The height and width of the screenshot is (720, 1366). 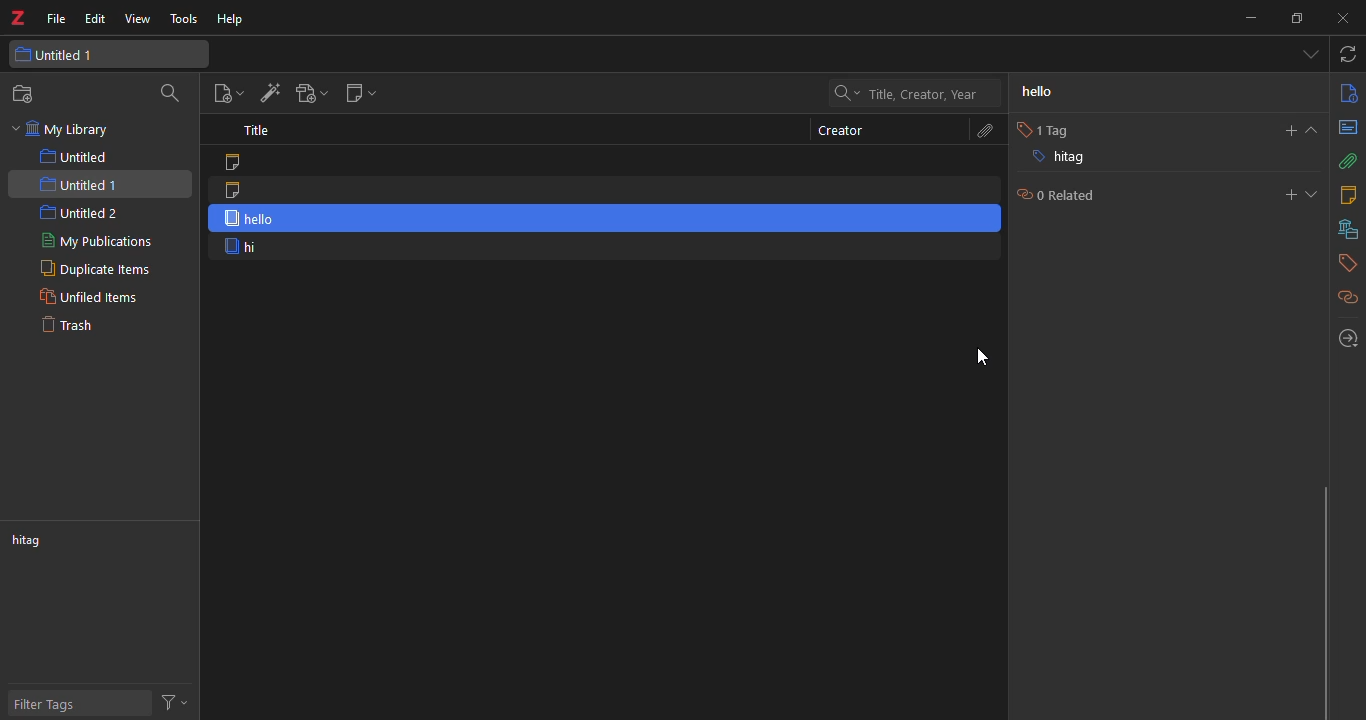 I want to click on expand, so click(x=1312, y=196).